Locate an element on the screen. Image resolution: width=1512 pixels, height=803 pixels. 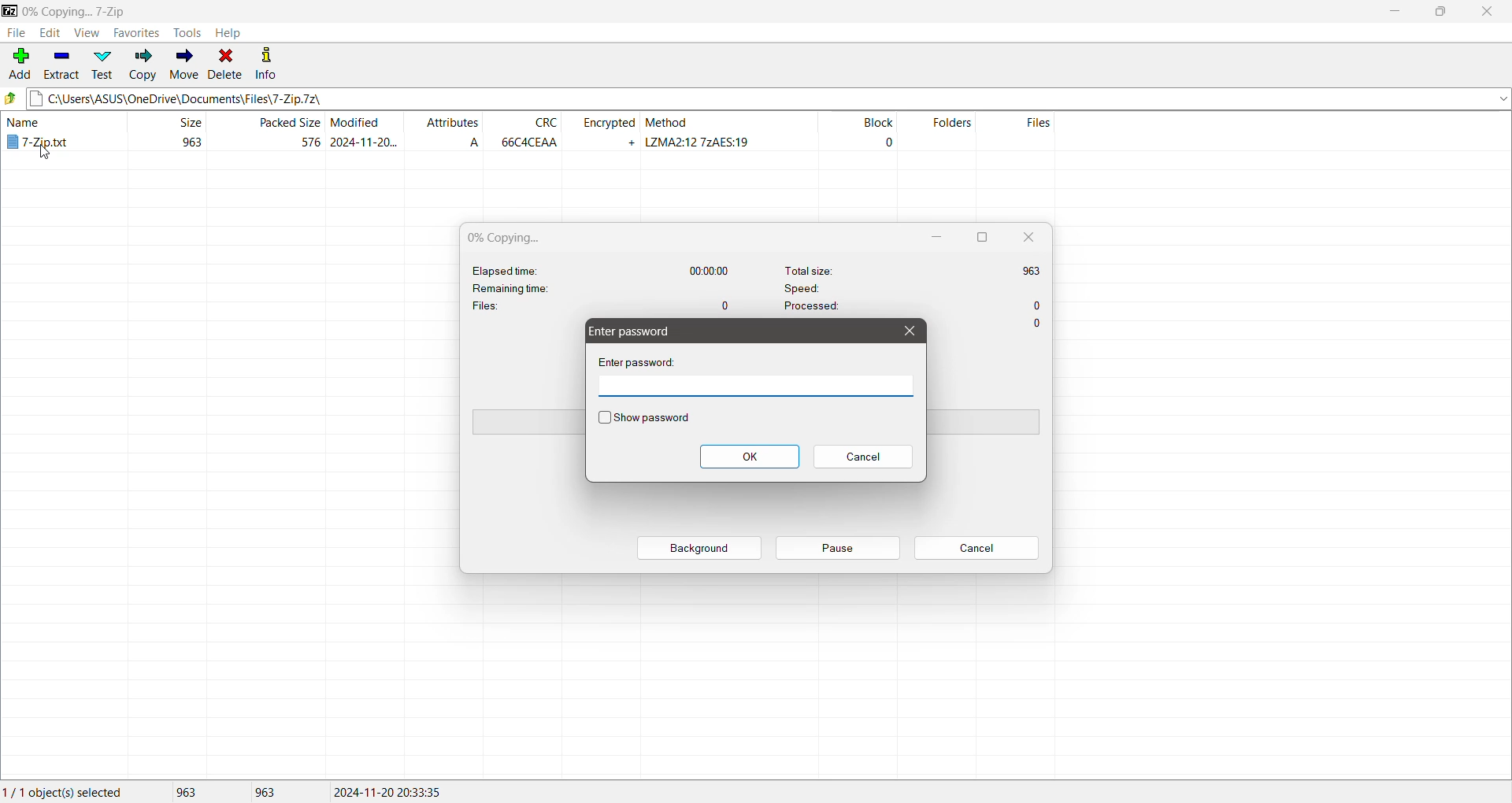
File modified date is located at coordinates (365, 132).